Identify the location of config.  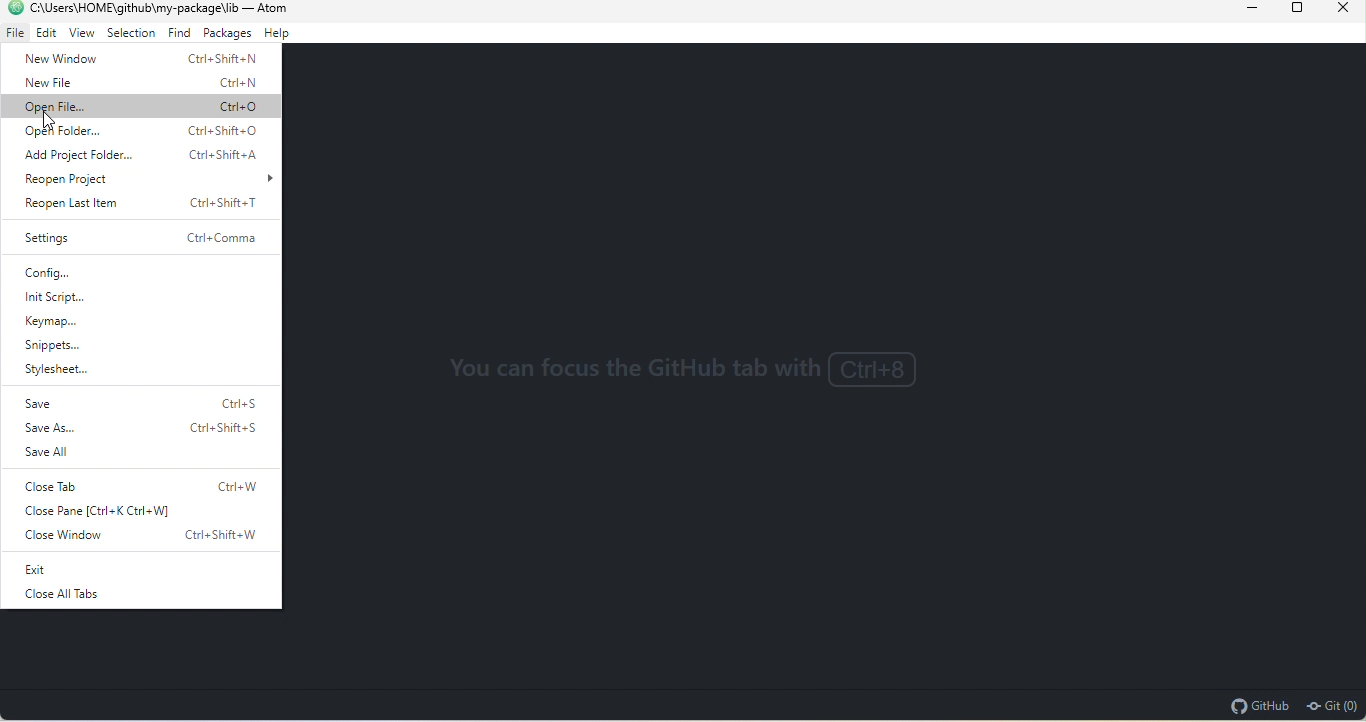
(81, 273).